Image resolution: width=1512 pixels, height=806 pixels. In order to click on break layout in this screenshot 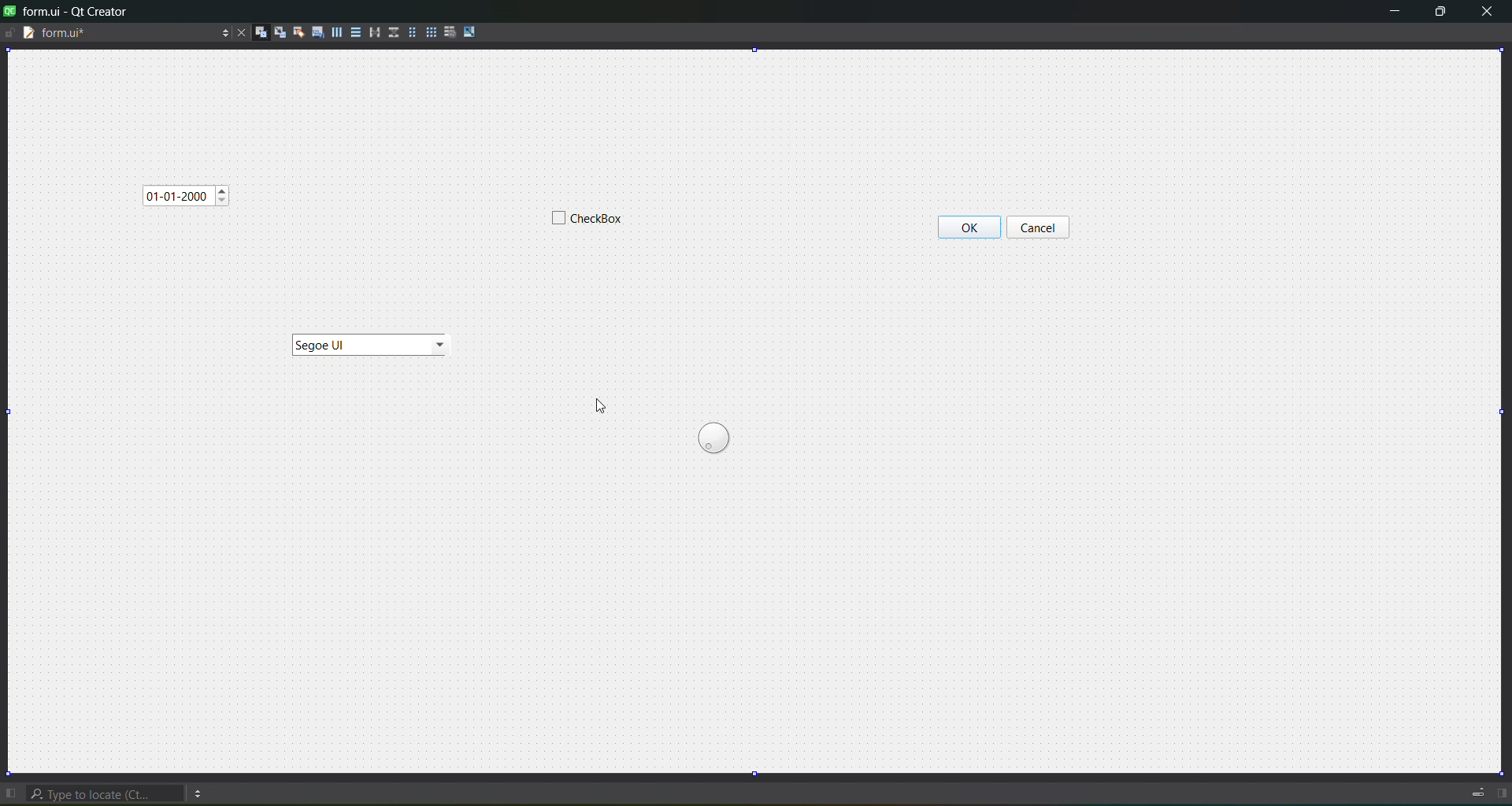, I will do `click(447, 32)`.